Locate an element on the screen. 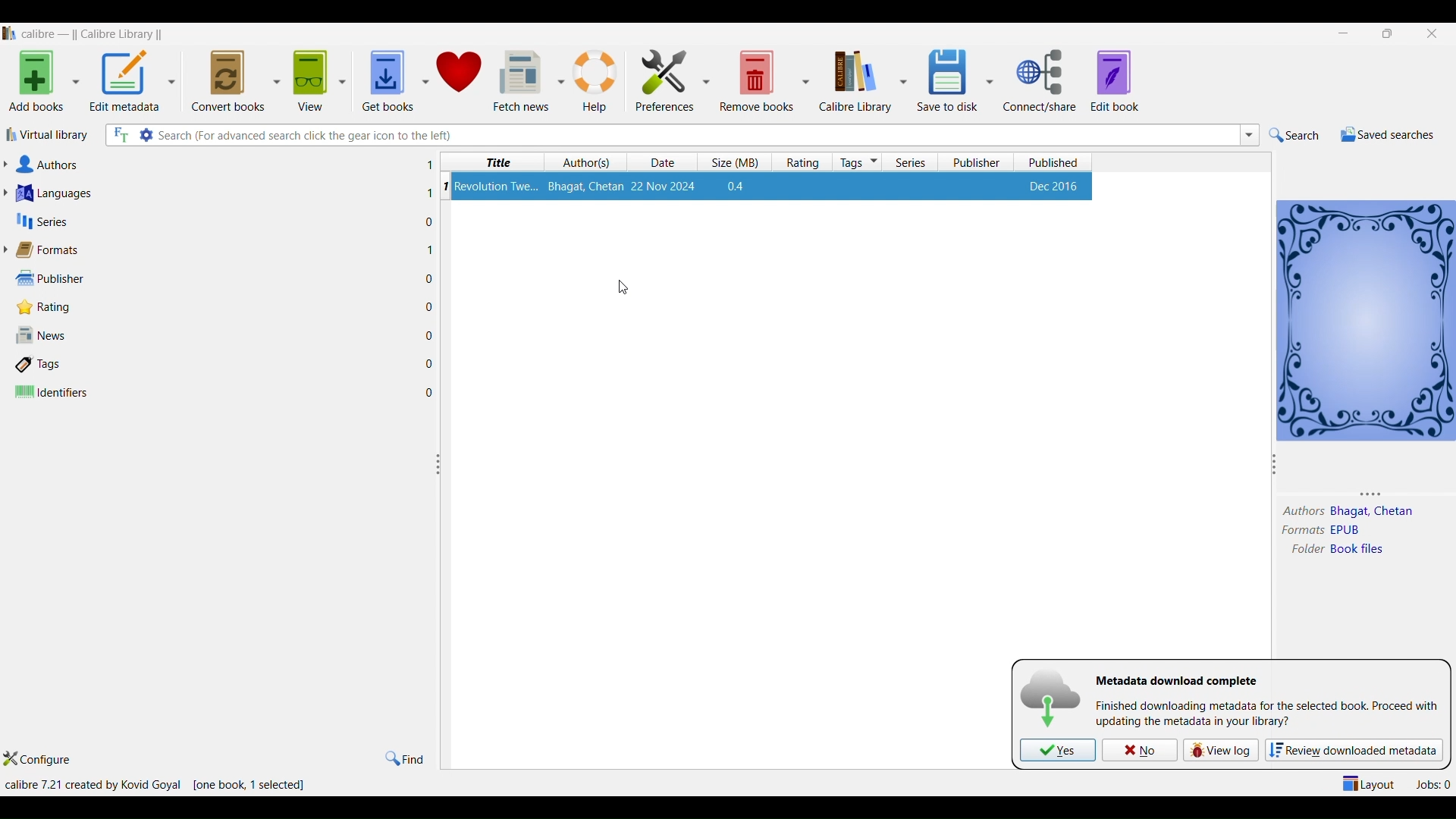 The image size is (1456, 819). fetch news is located at coordinates (522, 76).